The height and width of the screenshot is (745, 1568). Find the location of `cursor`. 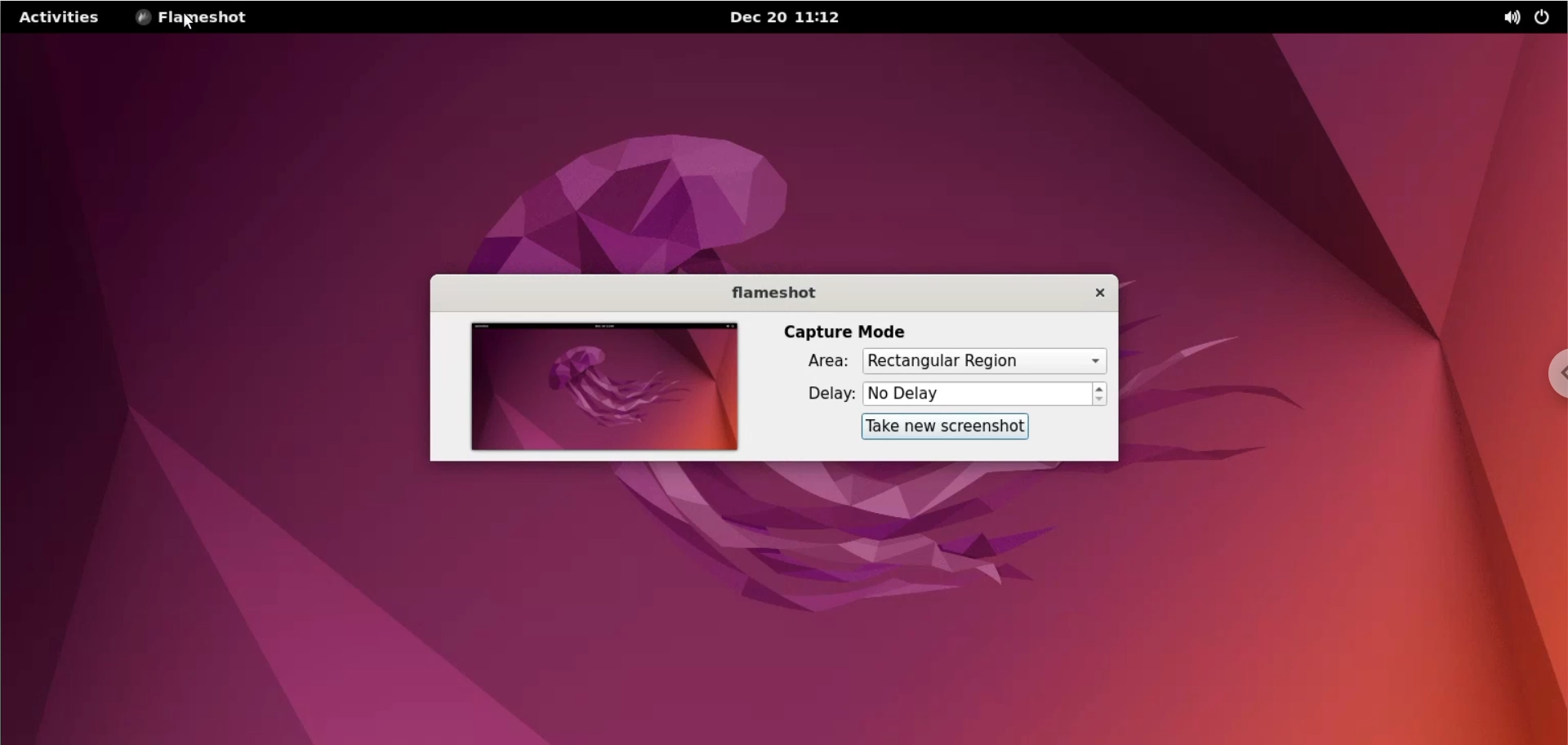

cursor is located at coordinates (188, 25).